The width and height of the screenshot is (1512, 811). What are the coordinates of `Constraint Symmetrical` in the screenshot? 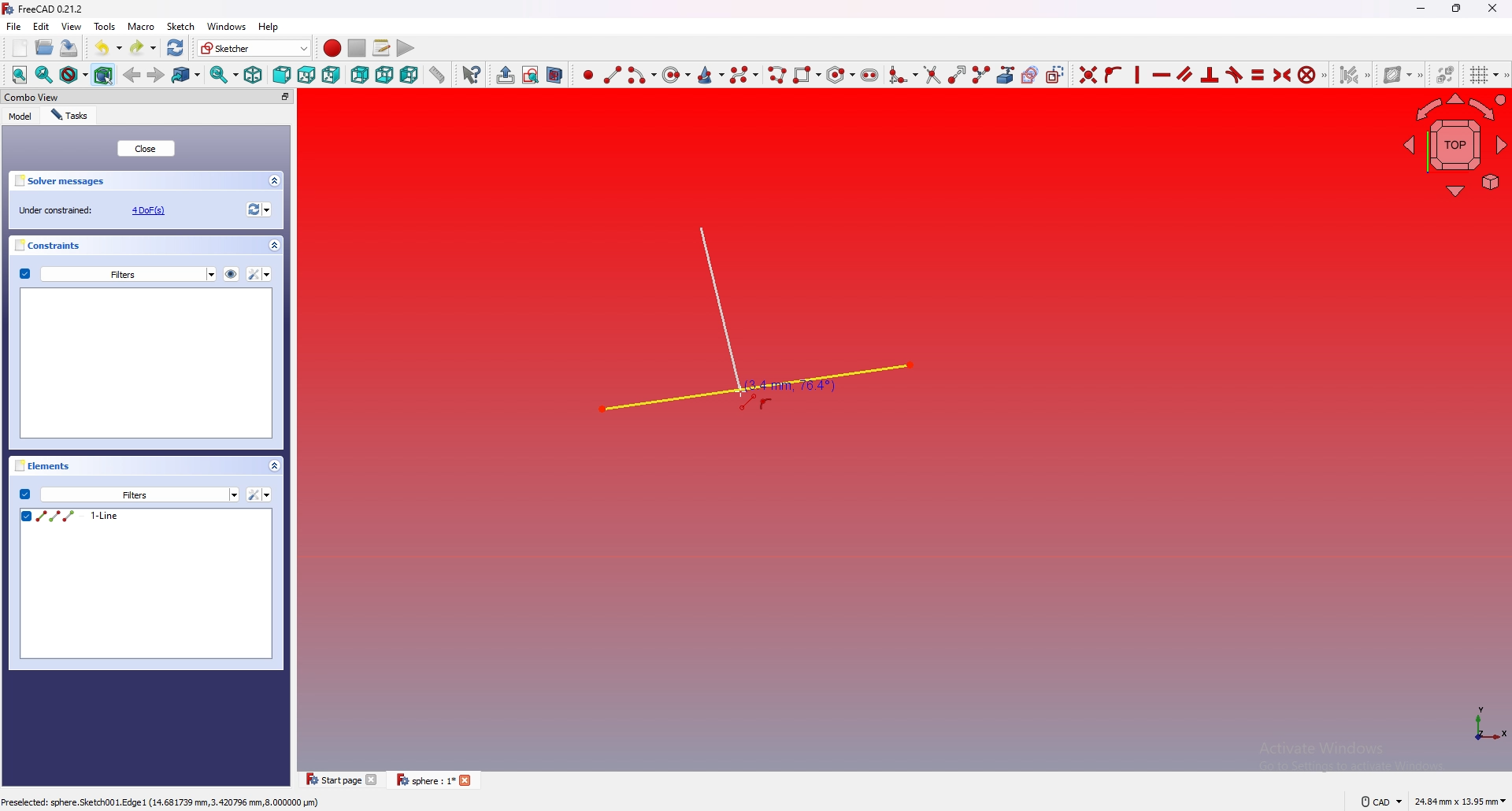 It's located at (1280, 74).